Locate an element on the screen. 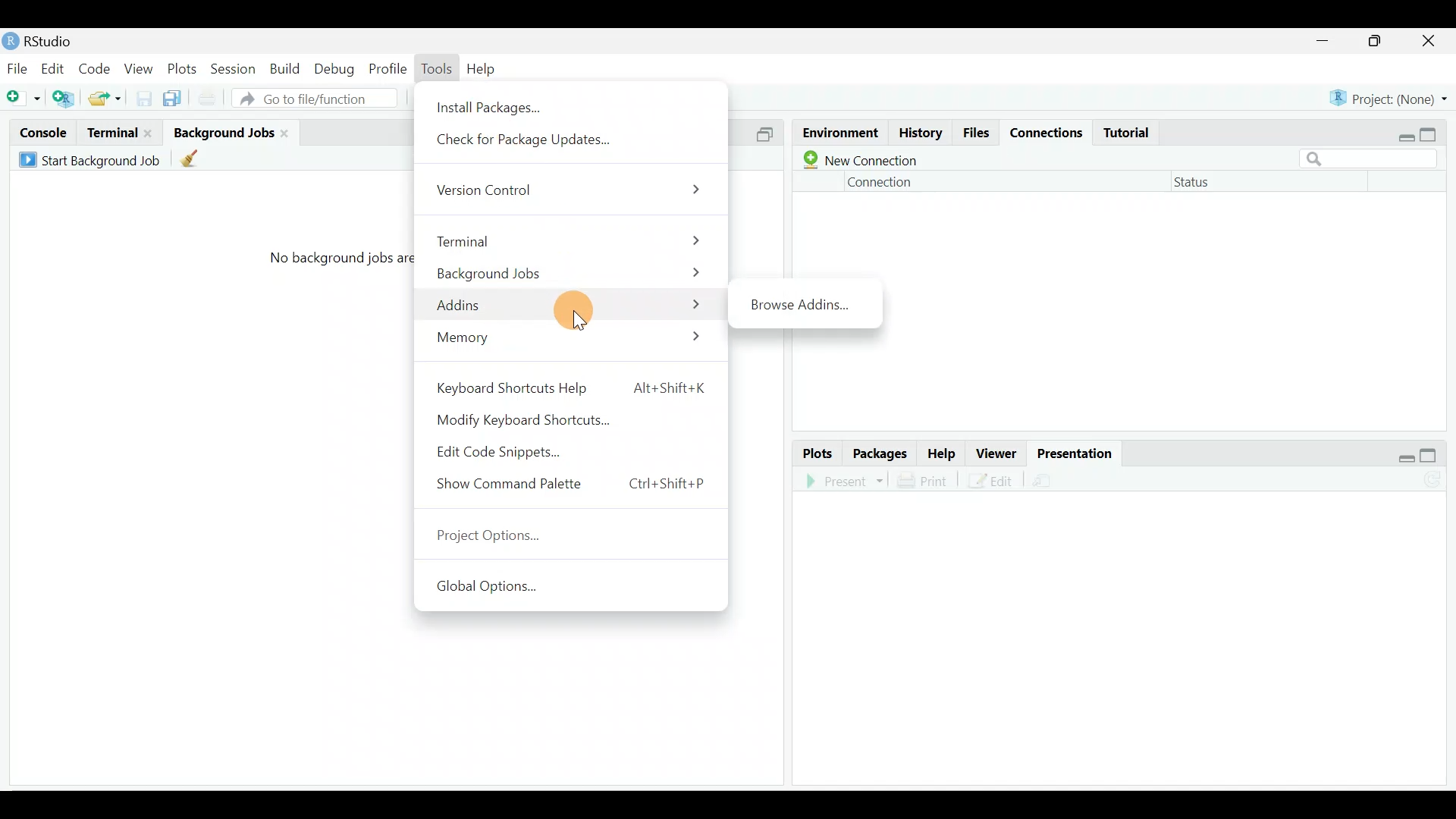  Debug is located at coordinates (337, 67).